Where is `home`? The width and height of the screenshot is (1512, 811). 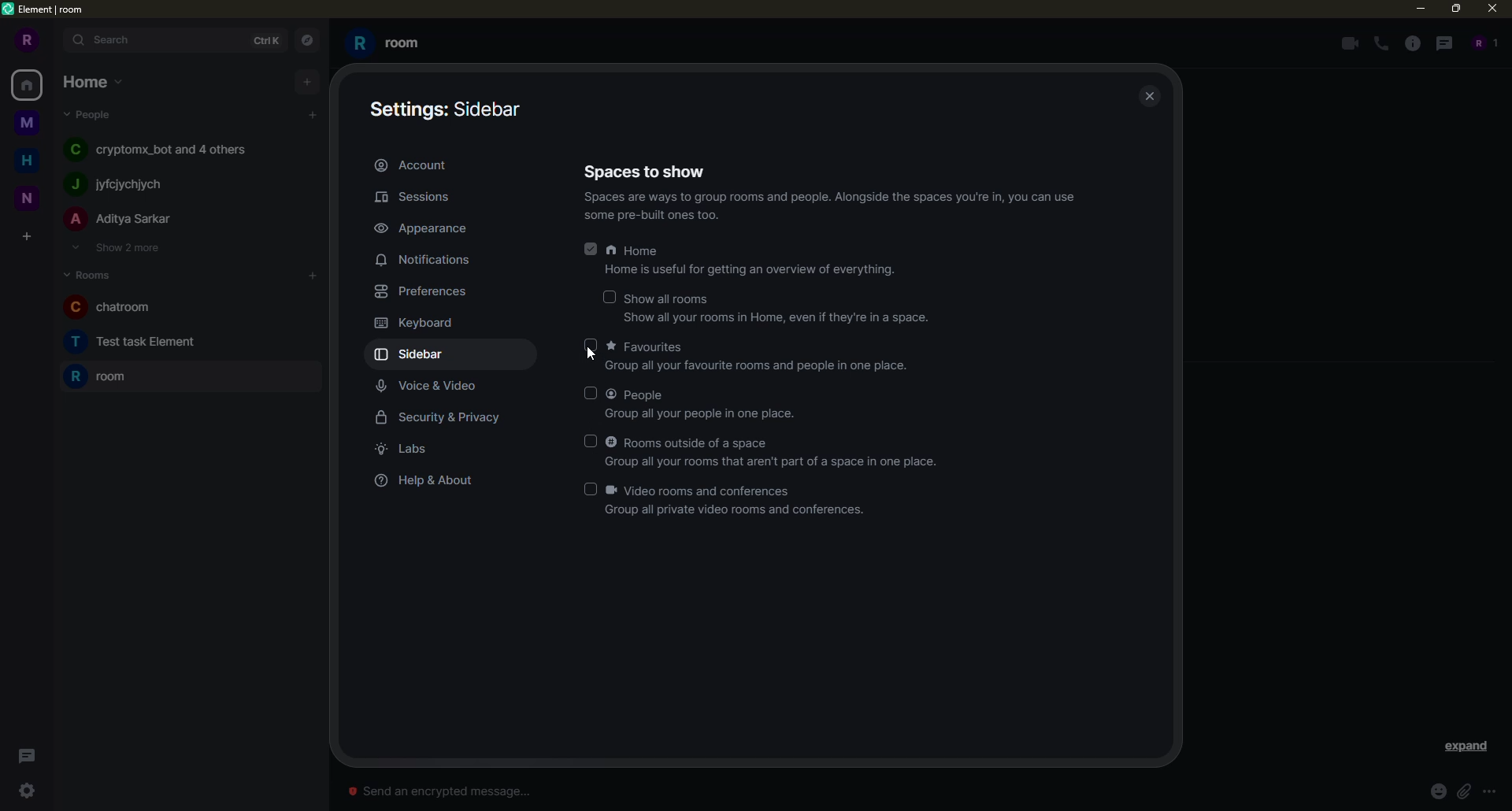 home is located at coordinates (28, 84).